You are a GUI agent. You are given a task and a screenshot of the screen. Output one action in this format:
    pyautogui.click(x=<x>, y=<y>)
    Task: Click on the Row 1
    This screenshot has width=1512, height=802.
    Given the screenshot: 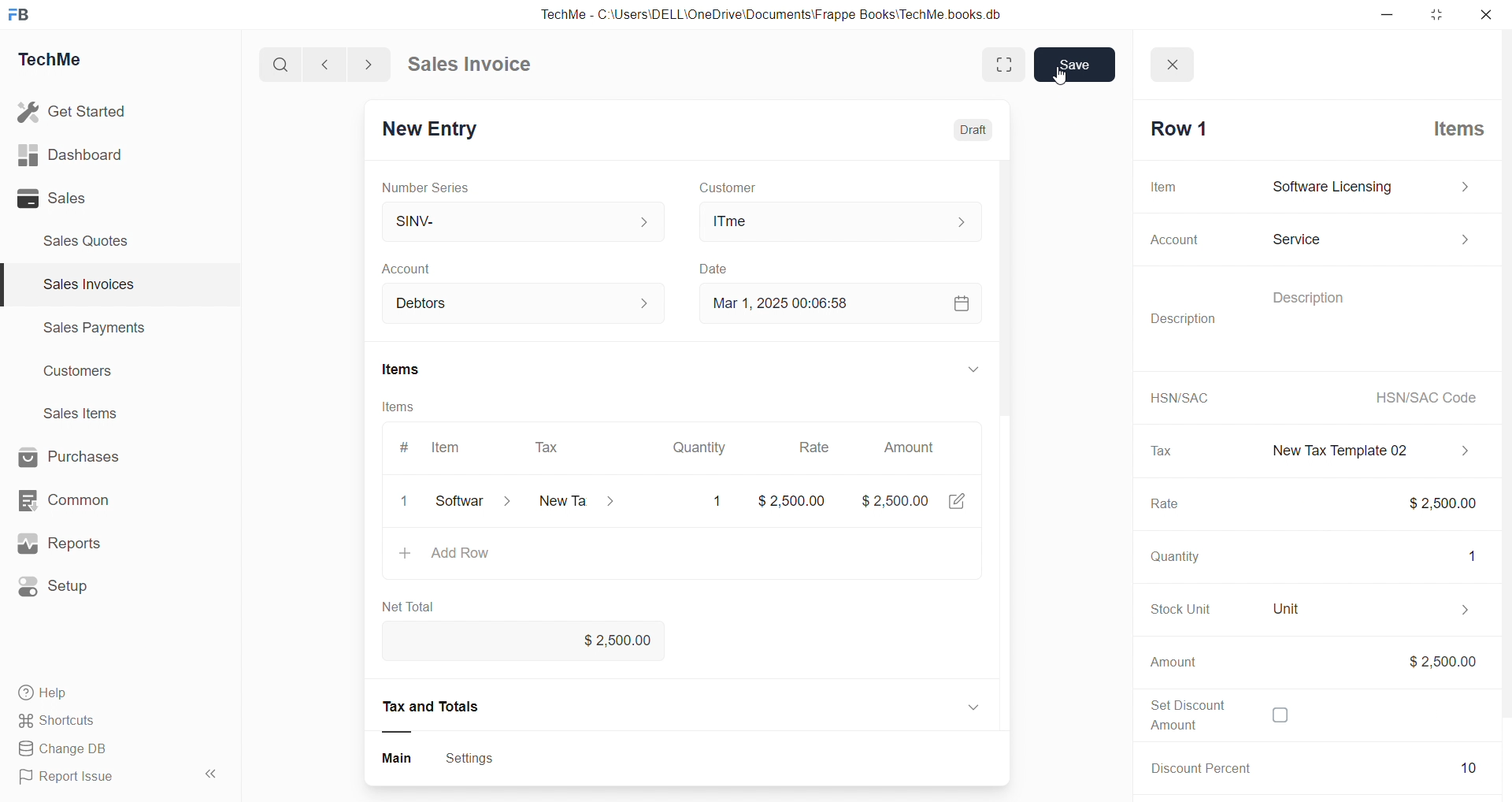 What is the action you would take?
    pyautogui.click(x=1175, y=128)
    